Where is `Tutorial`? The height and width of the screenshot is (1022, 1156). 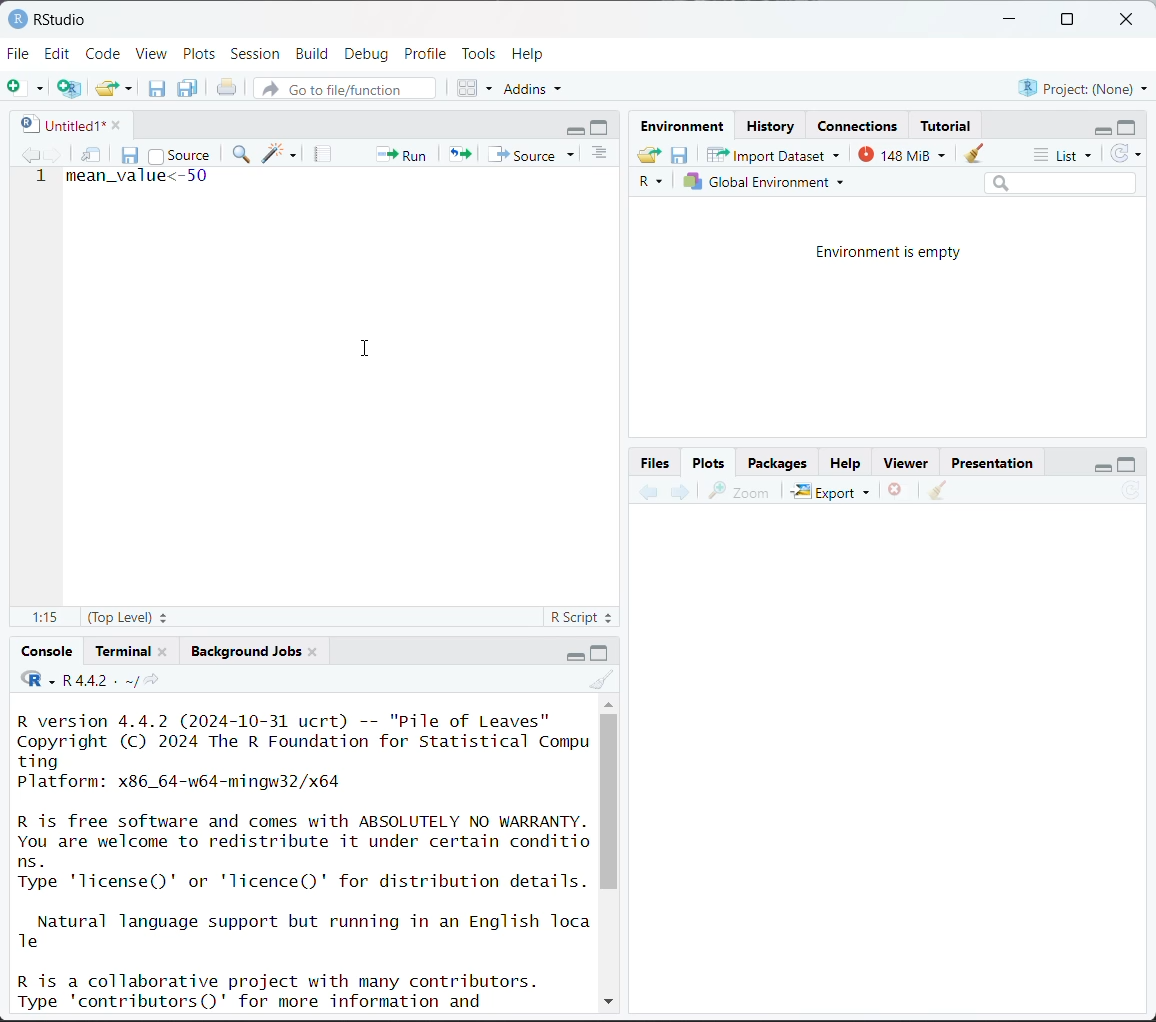 Tutorial is located at coordinates (948, 123).